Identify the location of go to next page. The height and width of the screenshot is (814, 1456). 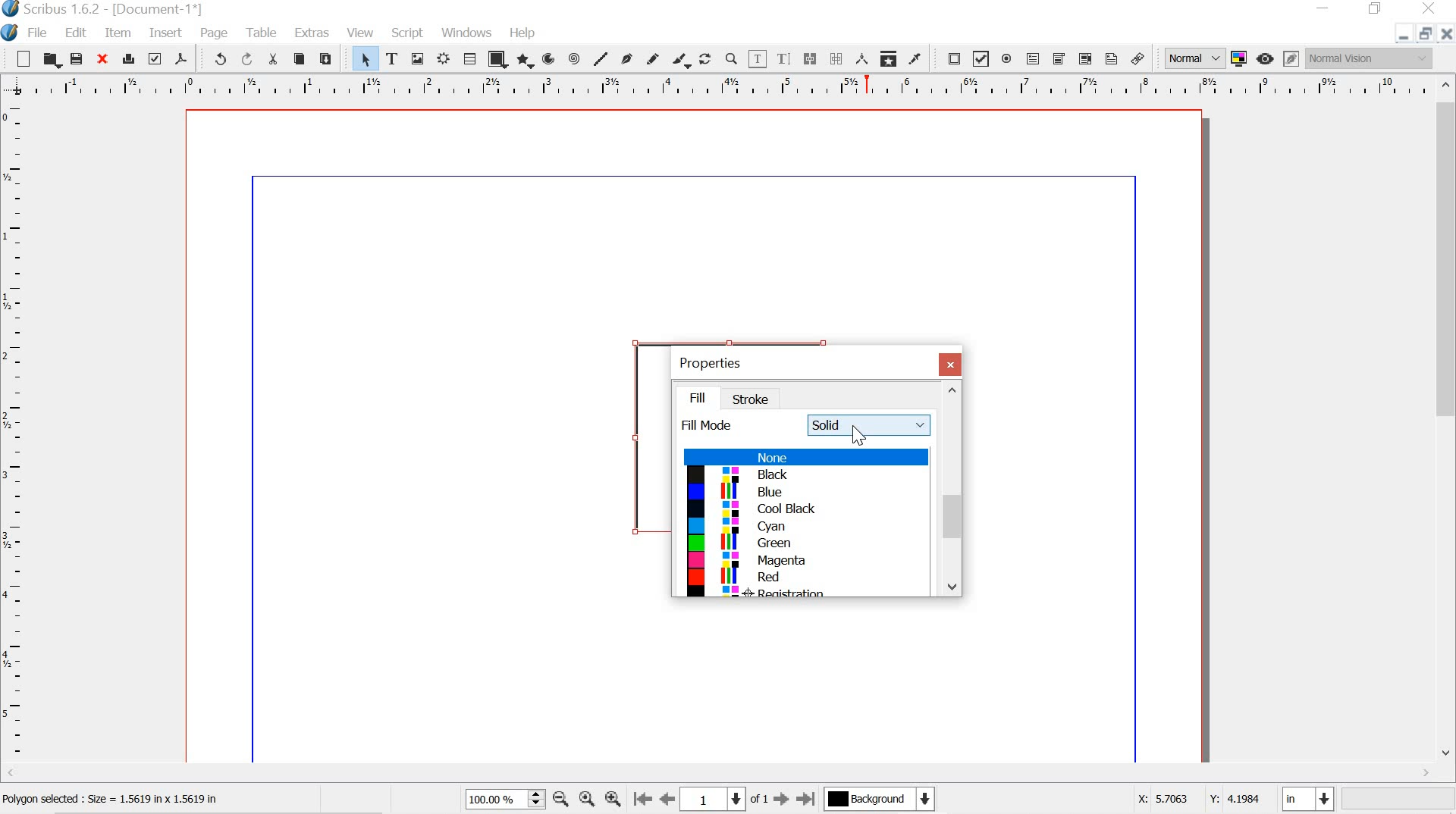
(781, 800).